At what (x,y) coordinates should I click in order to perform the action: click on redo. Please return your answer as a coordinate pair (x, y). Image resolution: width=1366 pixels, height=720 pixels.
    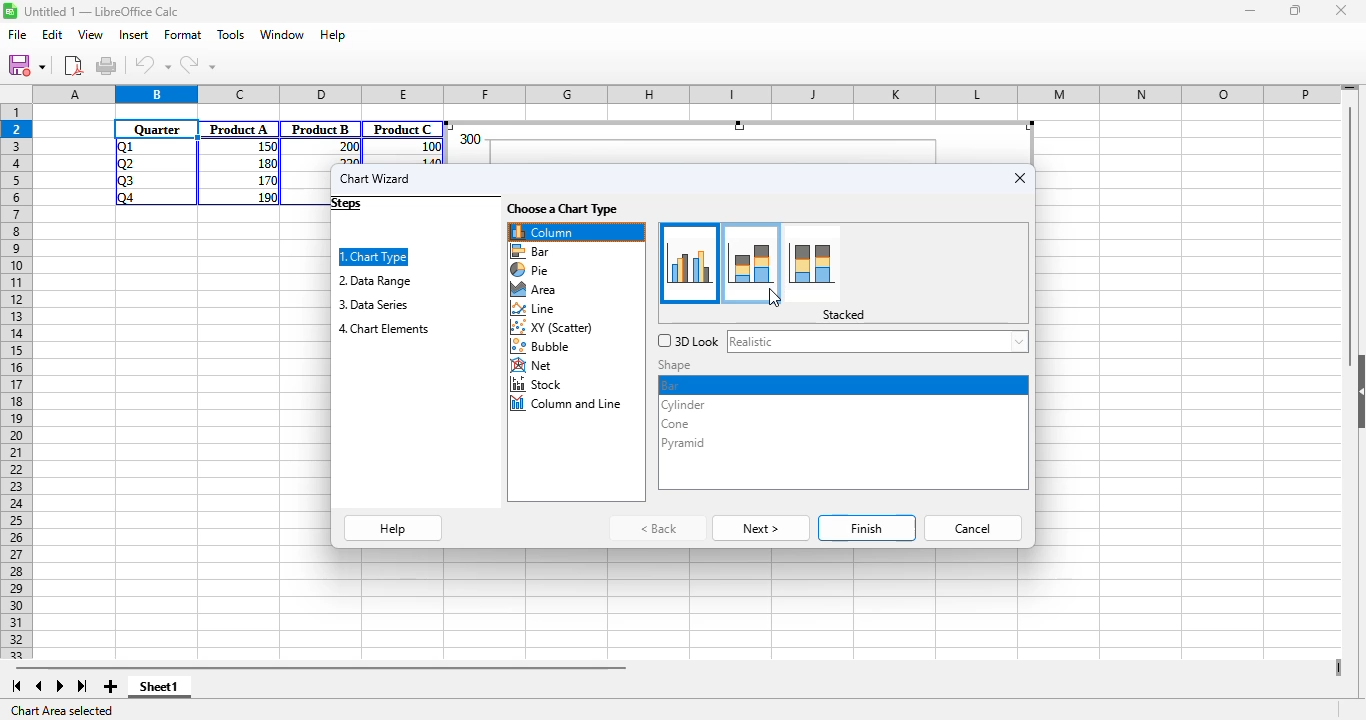
    Looking at the image, I should click on (197, 65).